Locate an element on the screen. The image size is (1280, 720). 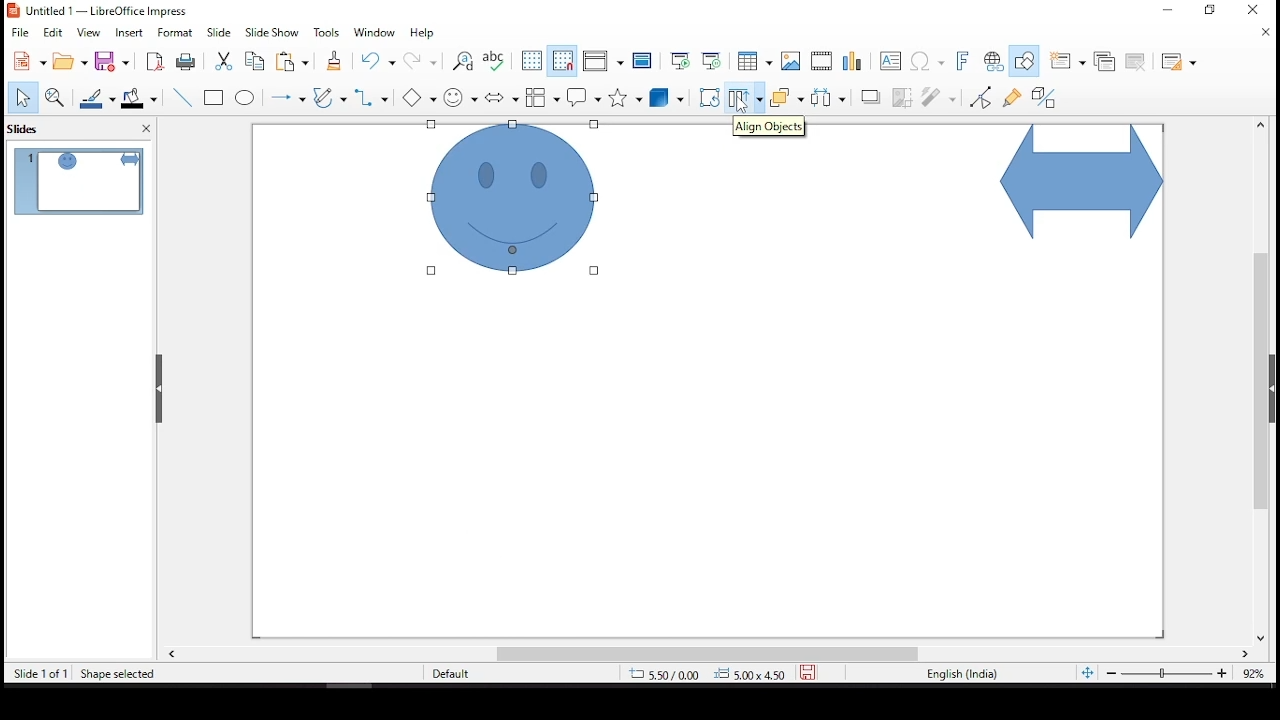
slide layout is located at coordinates (1179, 63).